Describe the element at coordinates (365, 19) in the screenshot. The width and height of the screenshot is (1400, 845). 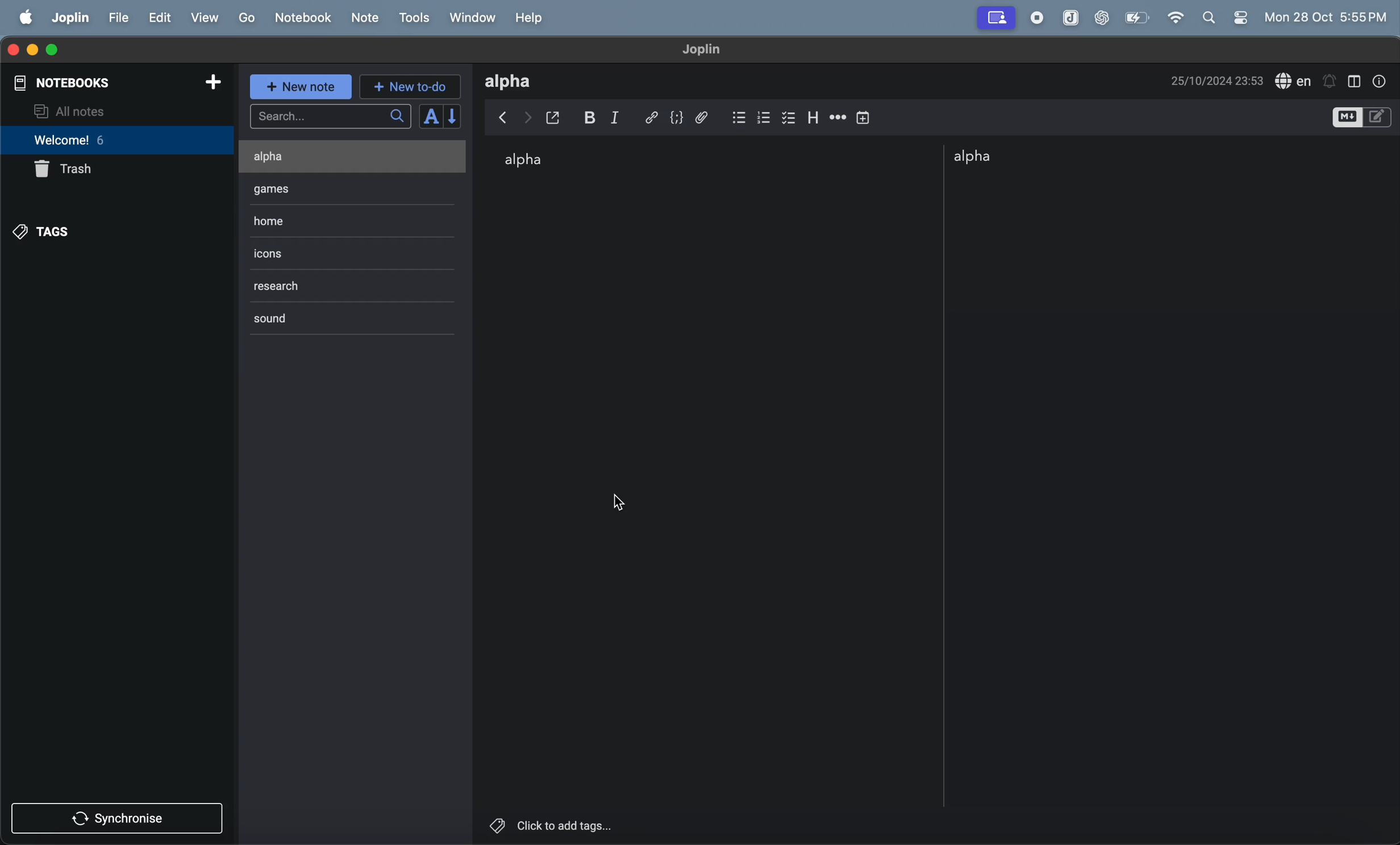
I see `note` at that location.